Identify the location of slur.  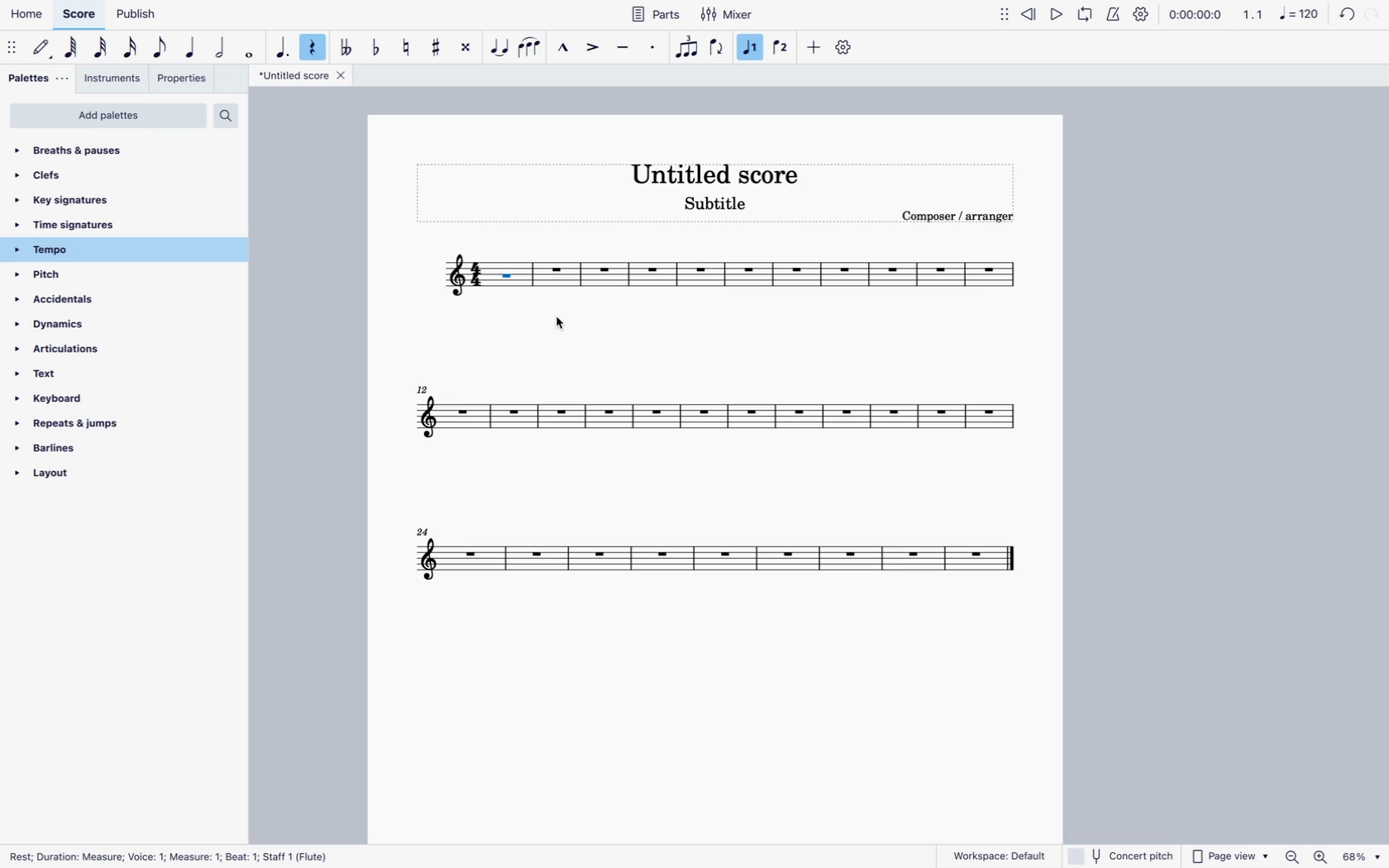
(530, 45).